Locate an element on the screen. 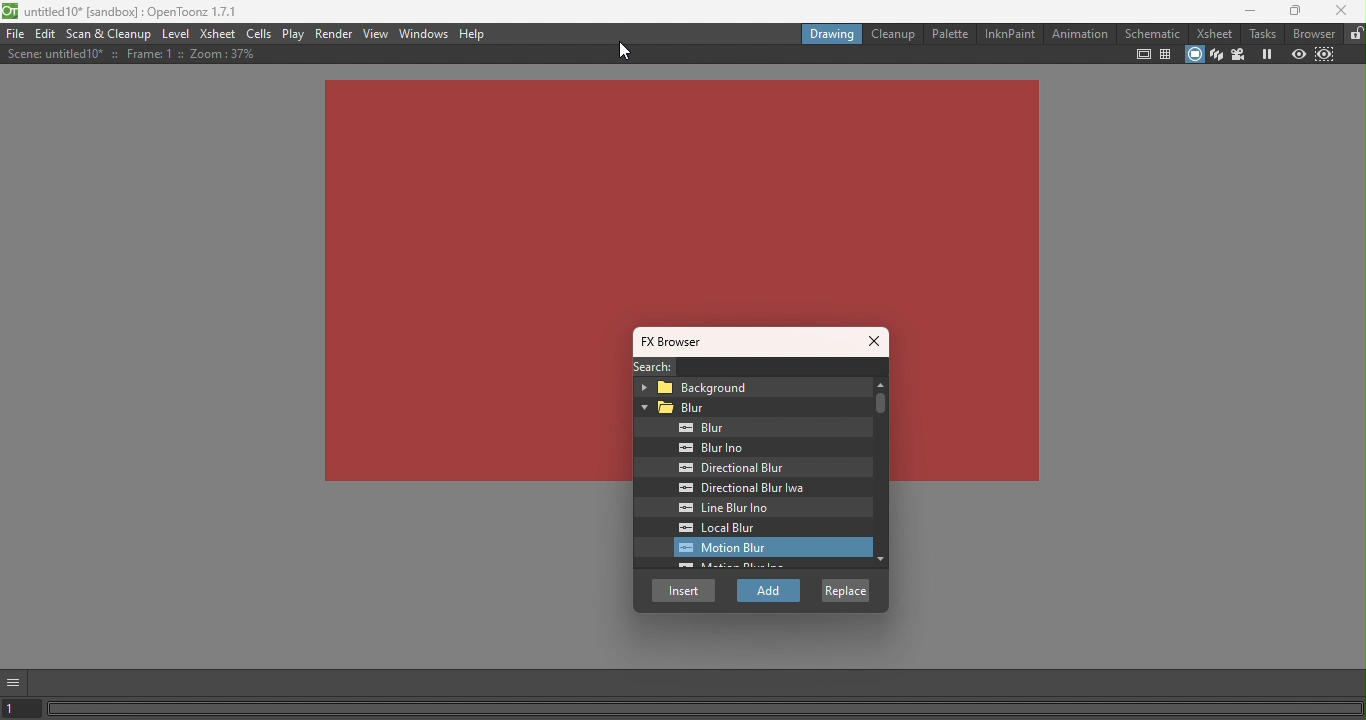 The height and width of the screenshot is (720, 1366). Preview is located at coordinates (1298, 53).